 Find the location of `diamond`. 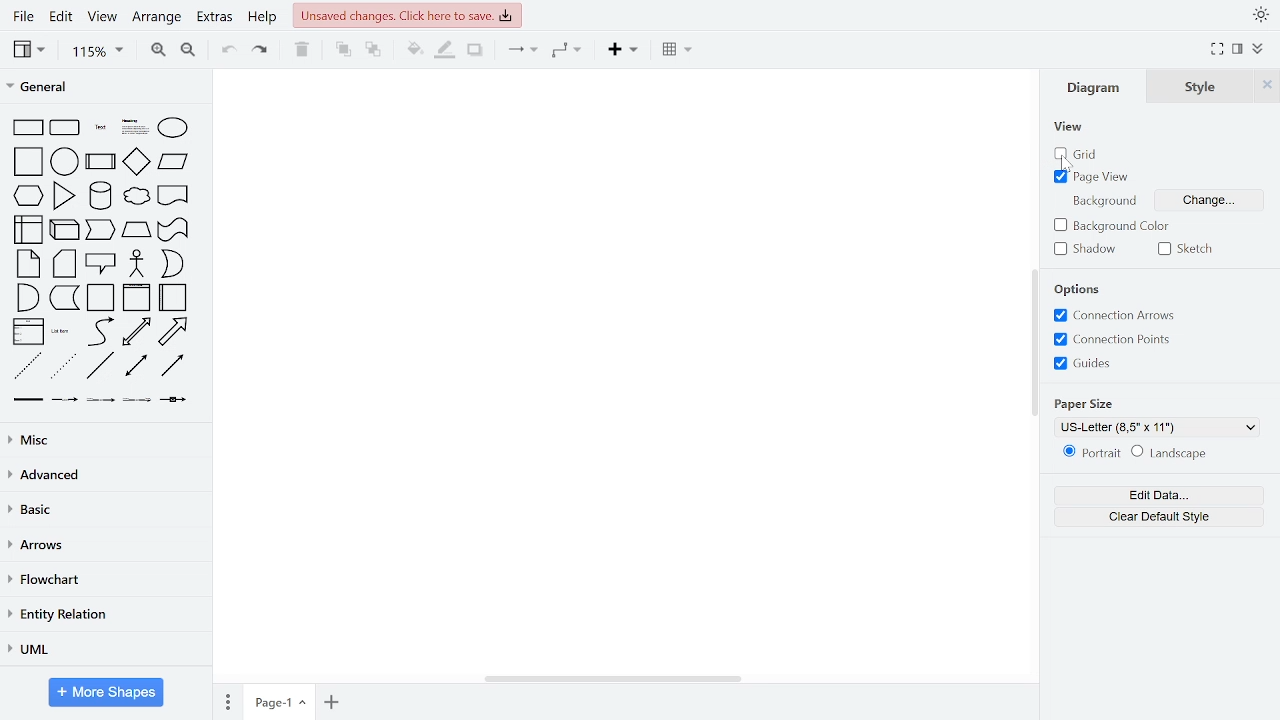

diamond is located at coordinates (139, 161).